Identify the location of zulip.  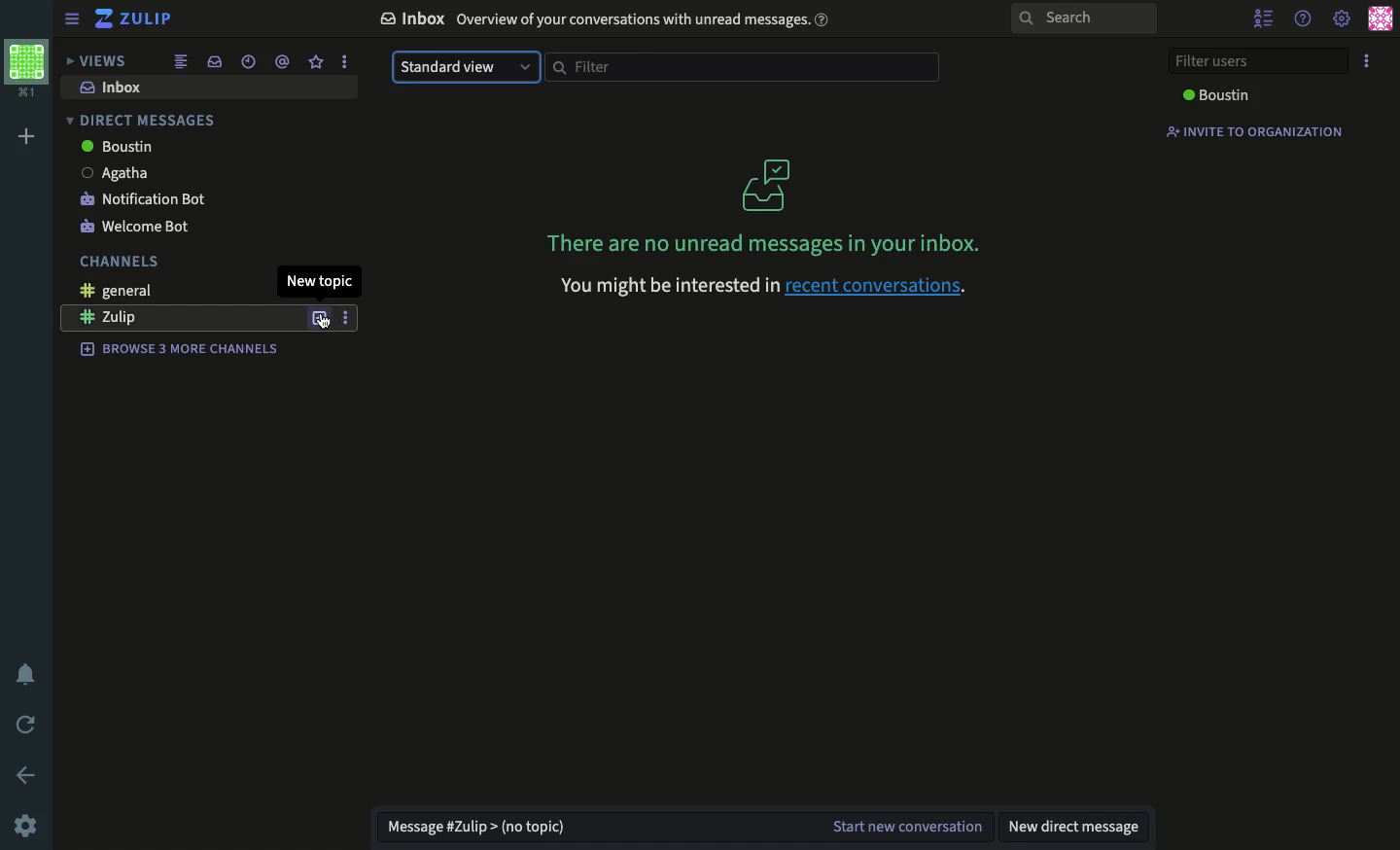
(123, 318).